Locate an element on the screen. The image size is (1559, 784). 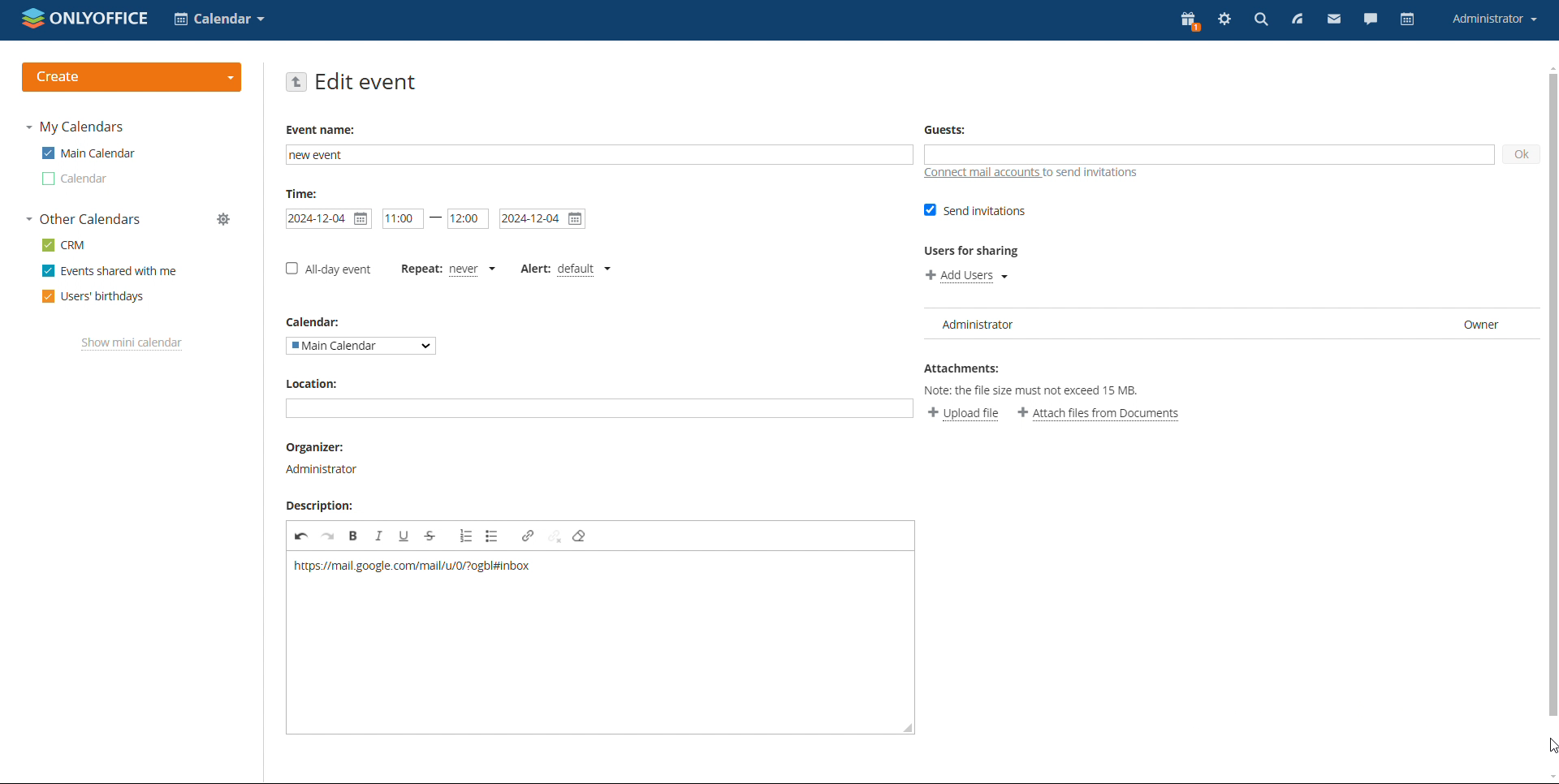
scroll down is located at coordinates (1549, 776).